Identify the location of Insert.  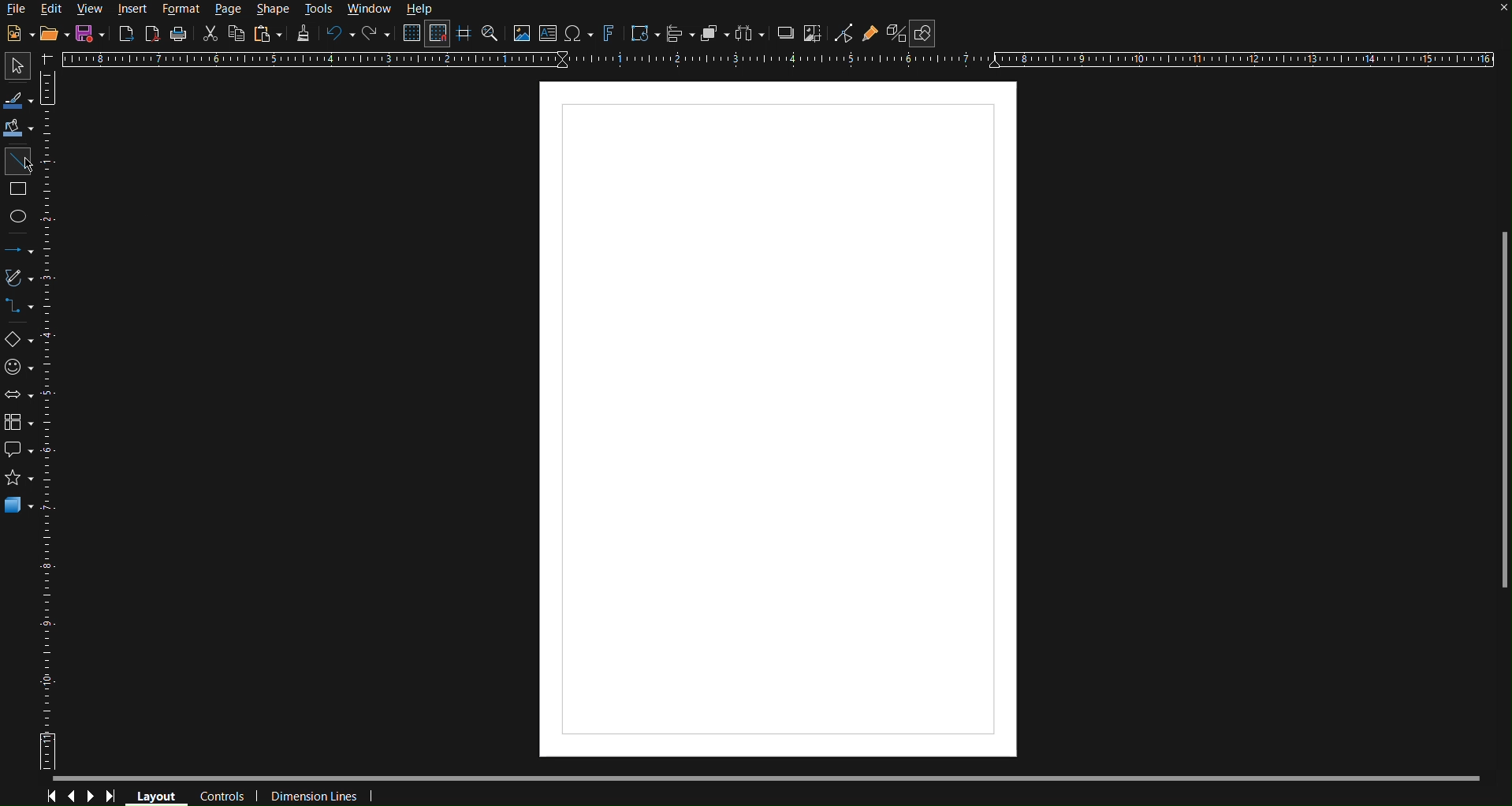
(133, 9).